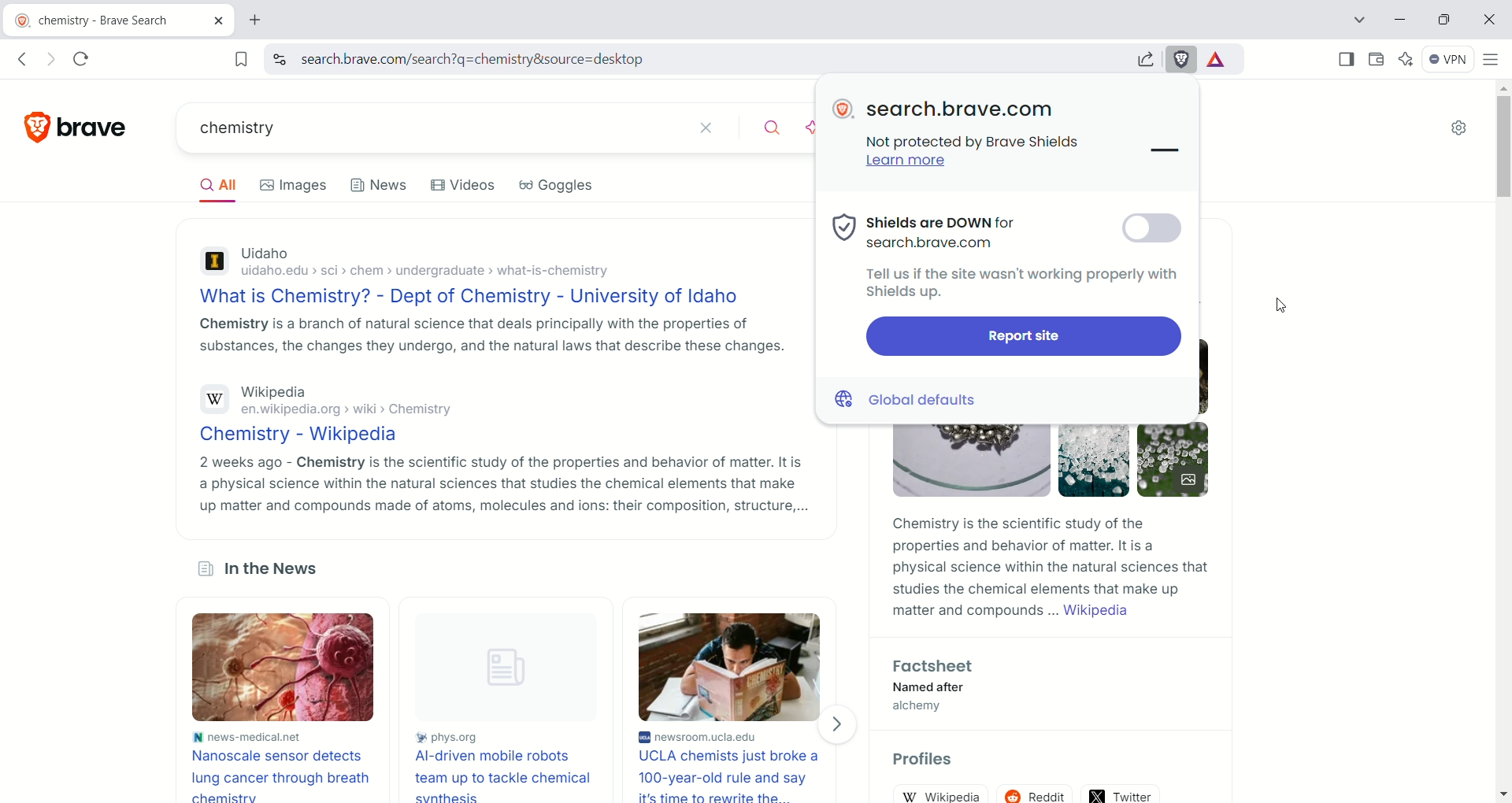 The height and width of the screenshot is (803, 1512). I want to click on image related to lung cancer, so click(286, 667).